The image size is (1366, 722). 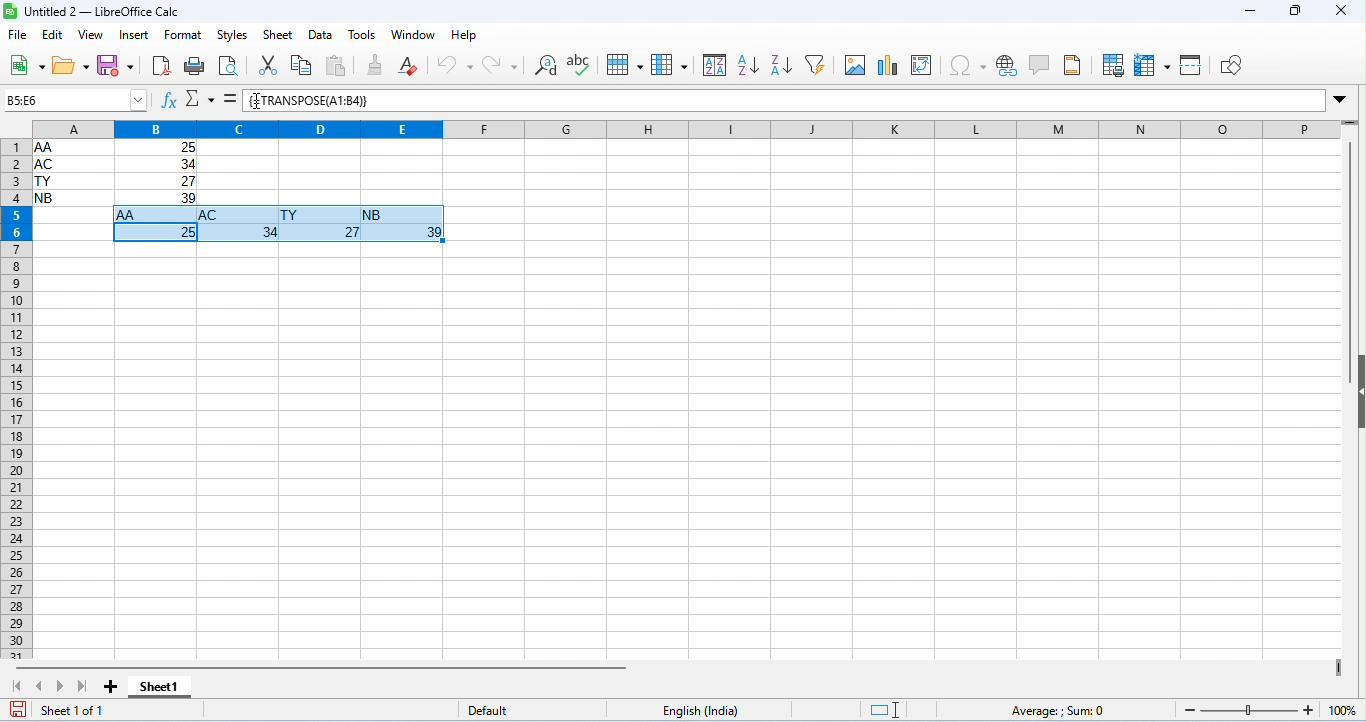 What do you see at coordinates (546, 64) in the screenshot?
I see `find and replace` at bounding box center [546, 64].